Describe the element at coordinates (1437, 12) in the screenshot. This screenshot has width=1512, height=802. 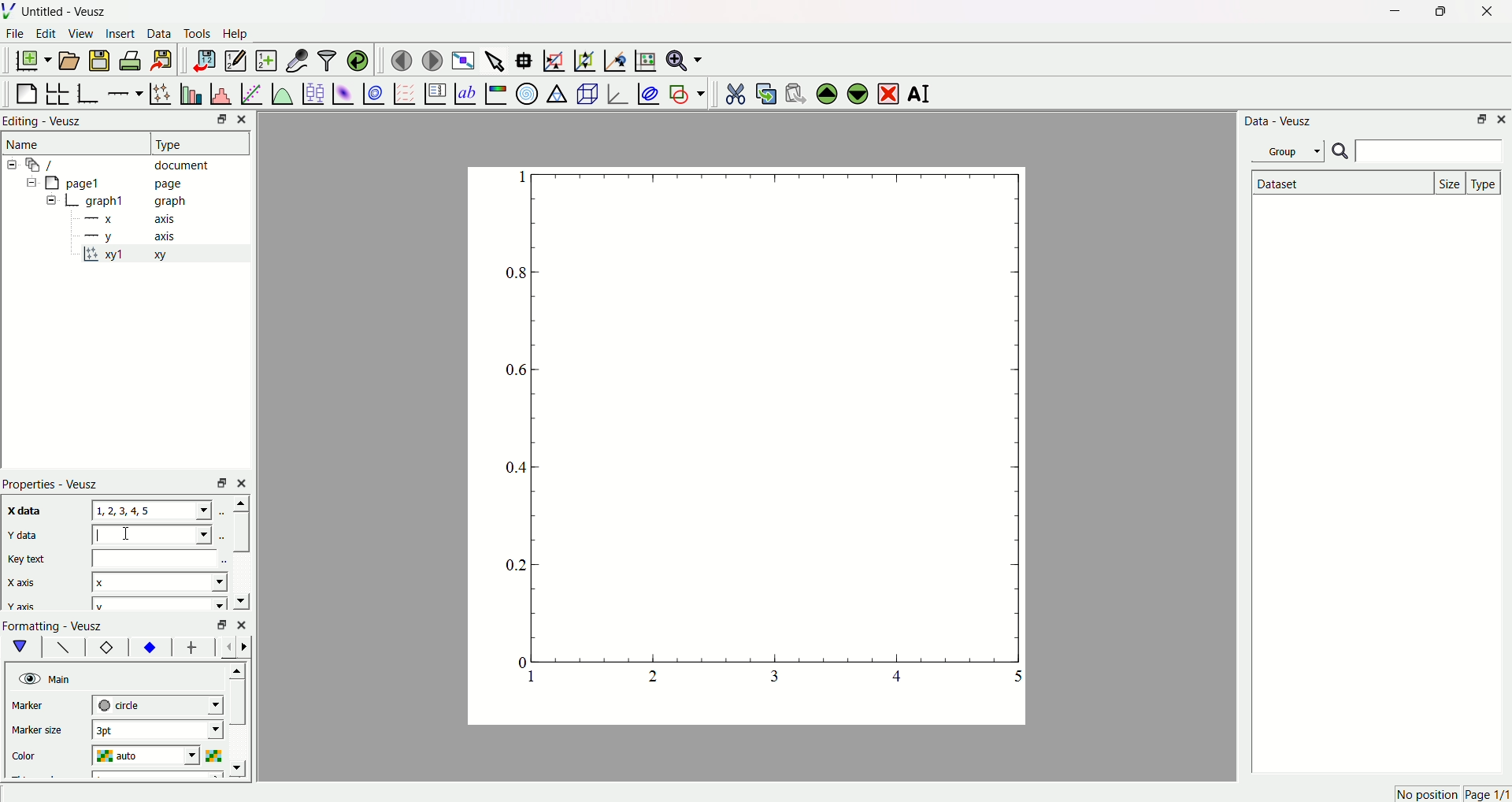
I see `Maximize` at that location.